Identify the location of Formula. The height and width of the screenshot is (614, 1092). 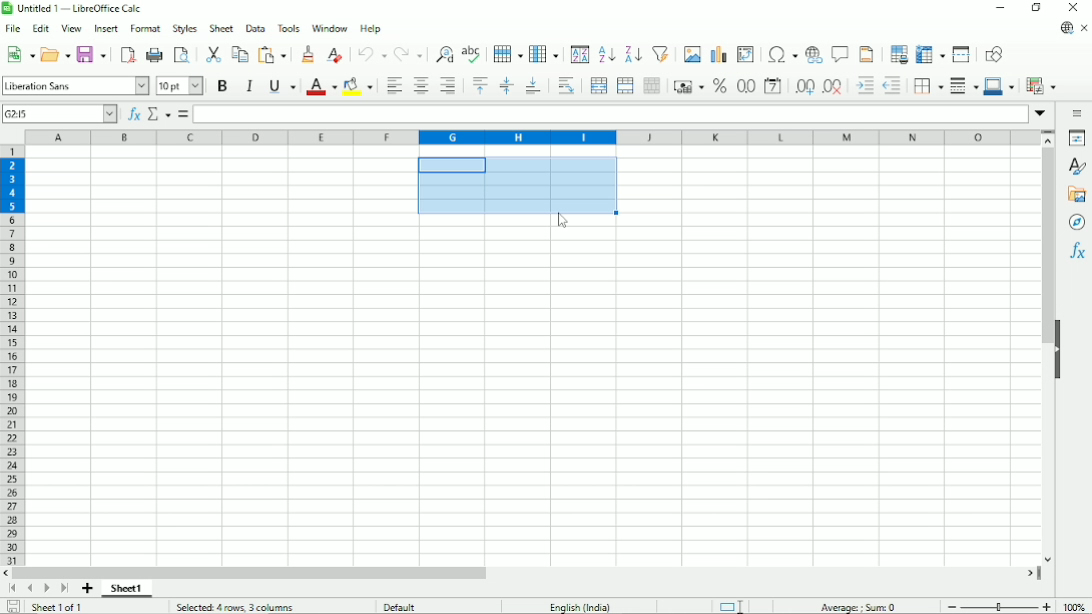
(183, 114).